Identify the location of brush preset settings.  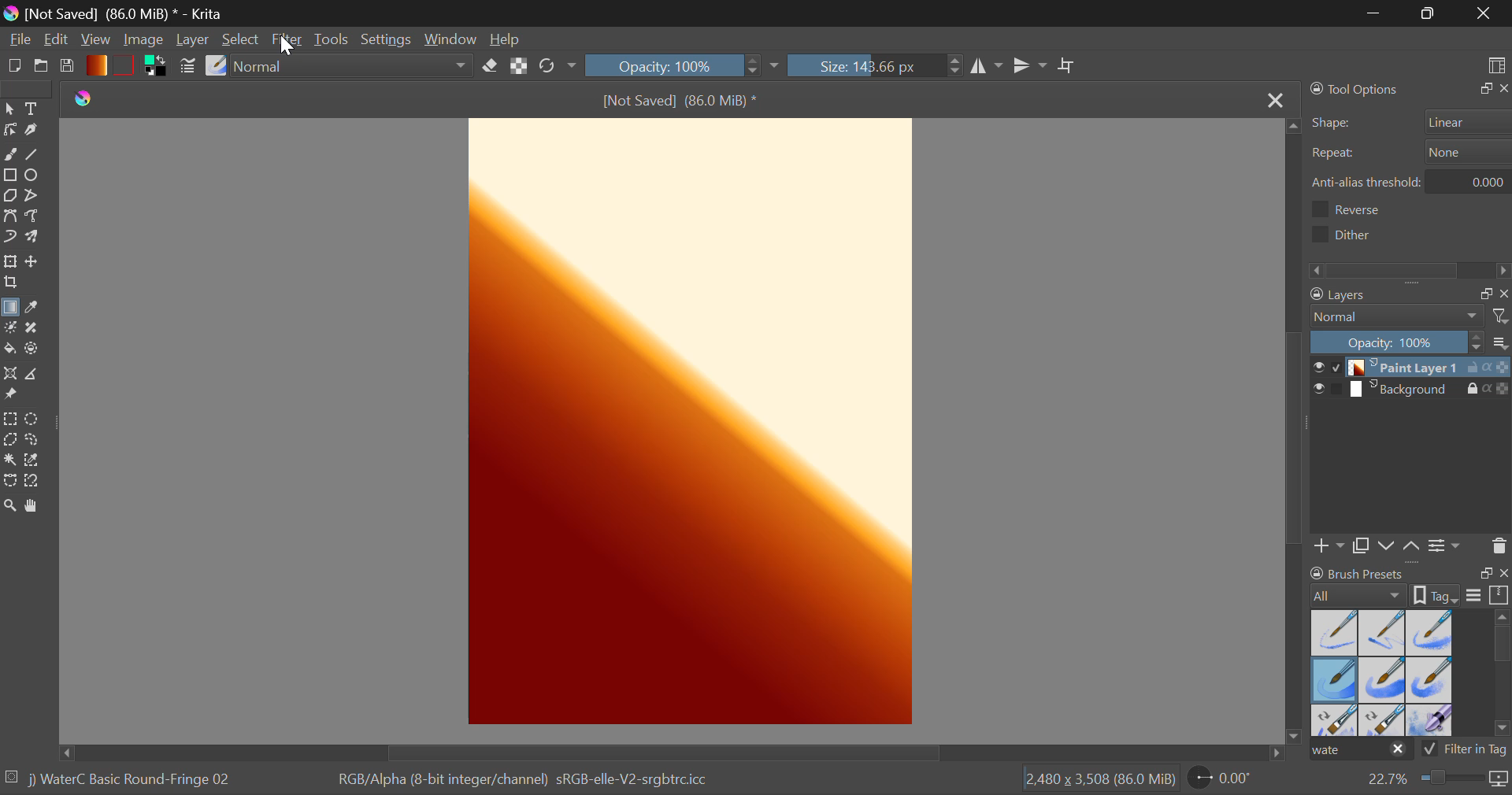
(1360, 594).